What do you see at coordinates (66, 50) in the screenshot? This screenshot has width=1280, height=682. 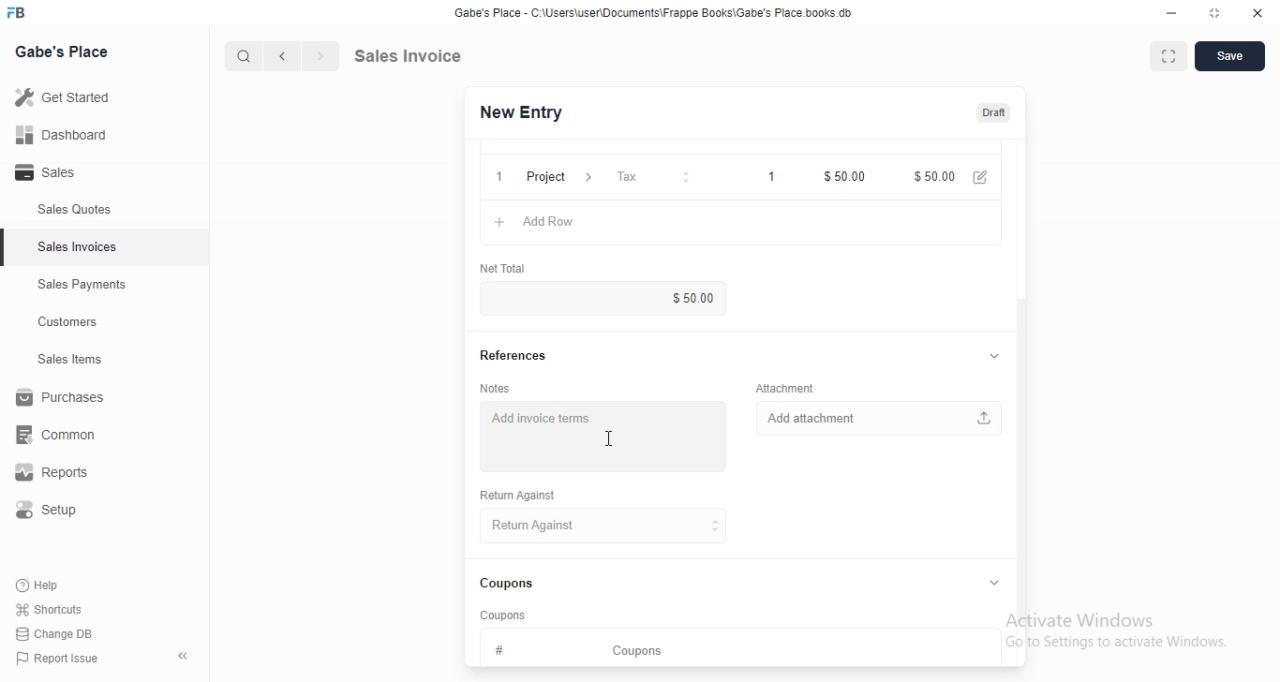 I see `Gabe's Place` at bounding box center [66, 50].